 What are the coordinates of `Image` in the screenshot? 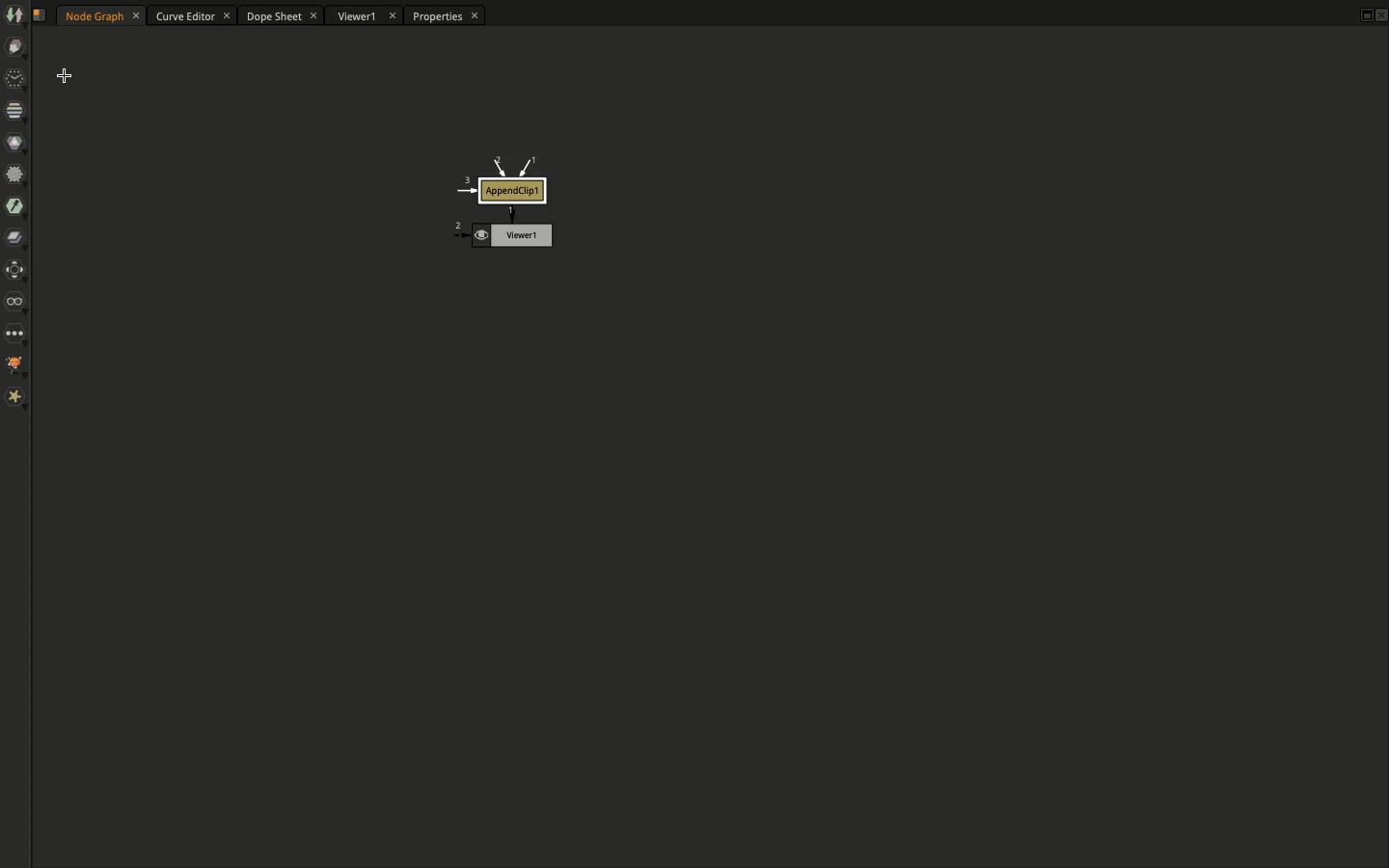 It's located at (14, 14).